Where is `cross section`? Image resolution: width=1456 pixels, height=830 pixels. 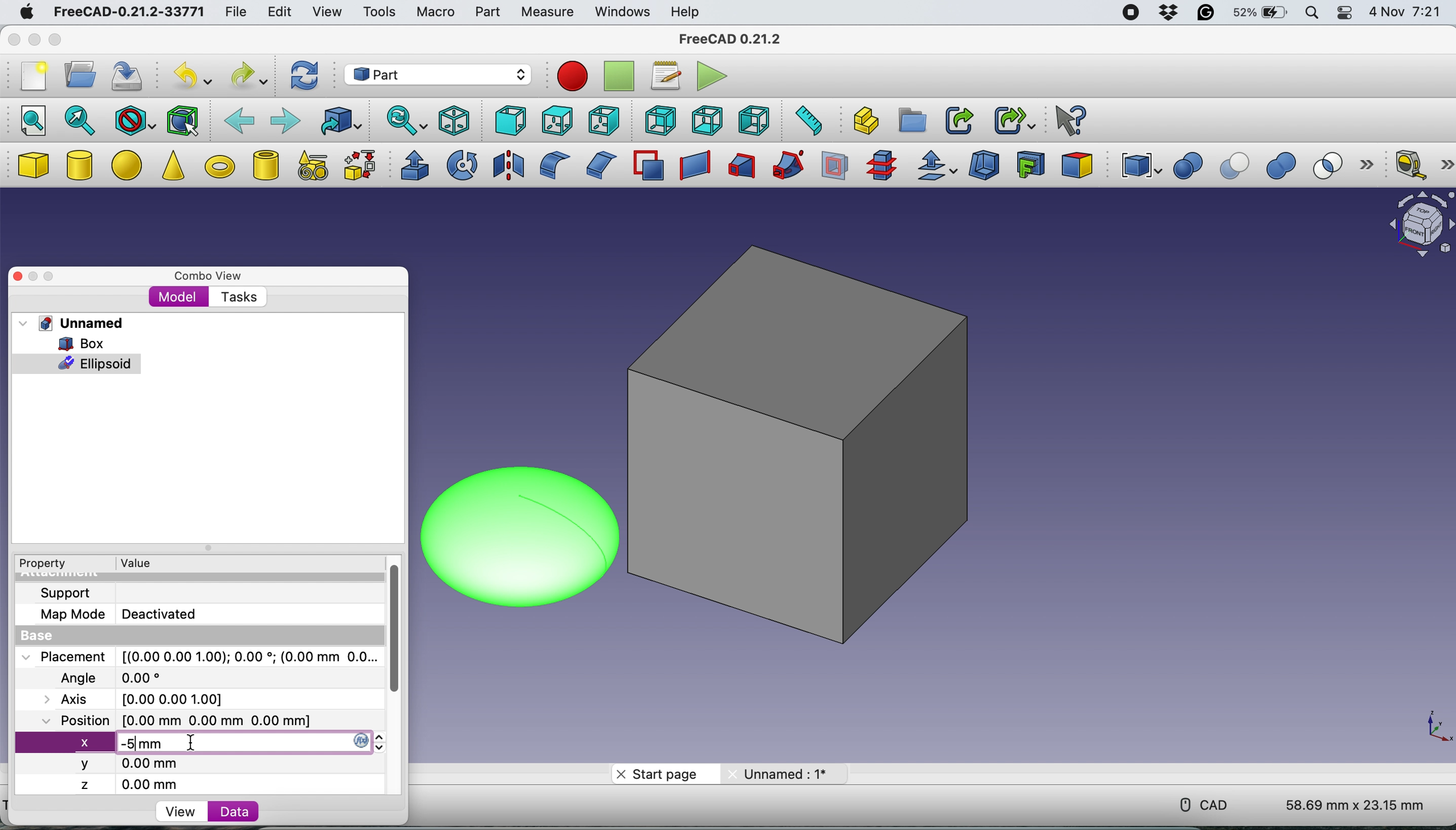
cross section is located at coordinates (882, 166).